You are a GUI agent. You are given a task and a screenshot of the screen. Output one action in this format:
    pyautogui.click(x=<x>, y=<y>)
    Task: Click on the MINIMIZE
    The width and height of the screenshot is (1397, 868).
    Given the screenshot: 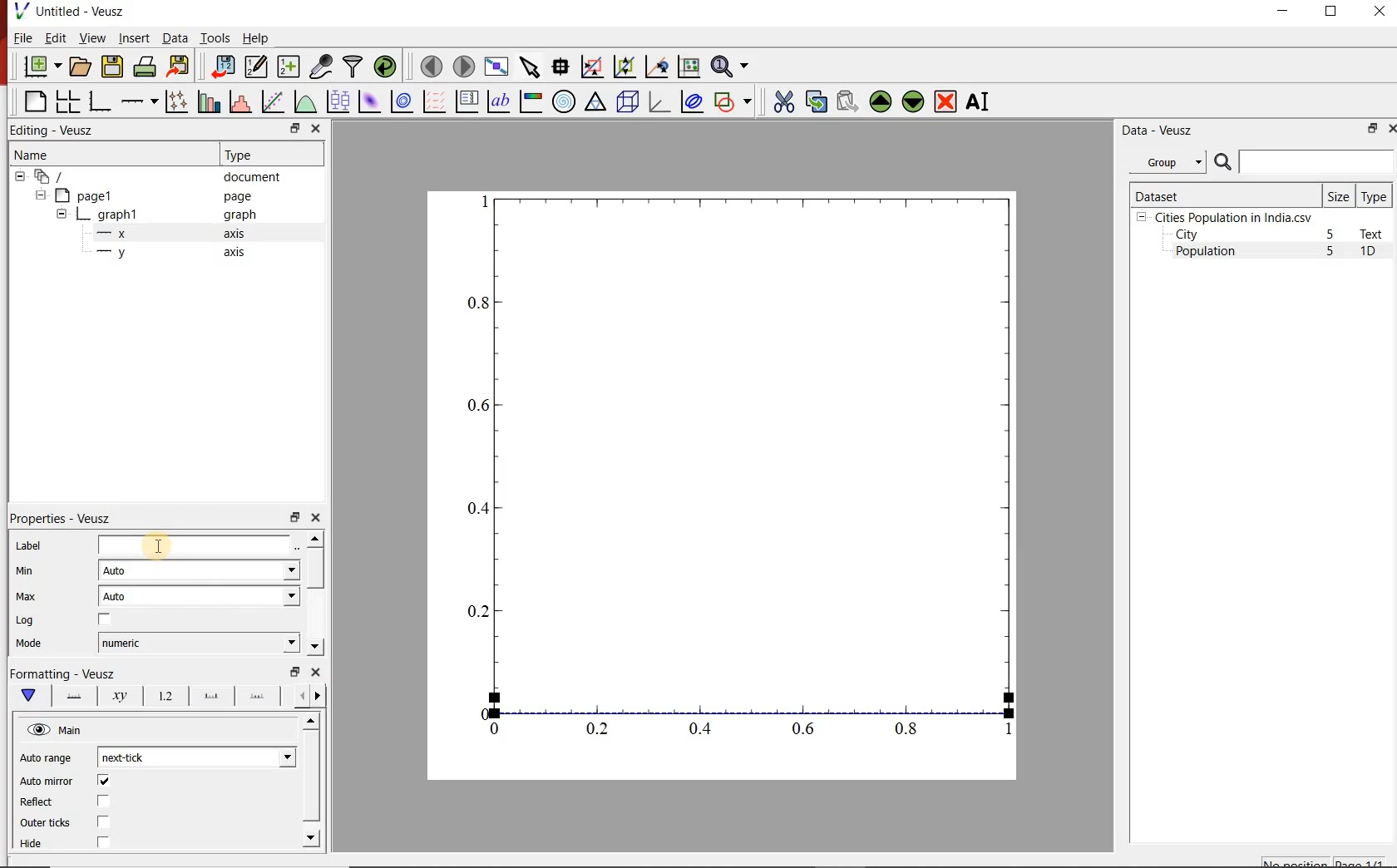 What is the action you would take?
    pyautogui.click(x=1284, y=11)
    